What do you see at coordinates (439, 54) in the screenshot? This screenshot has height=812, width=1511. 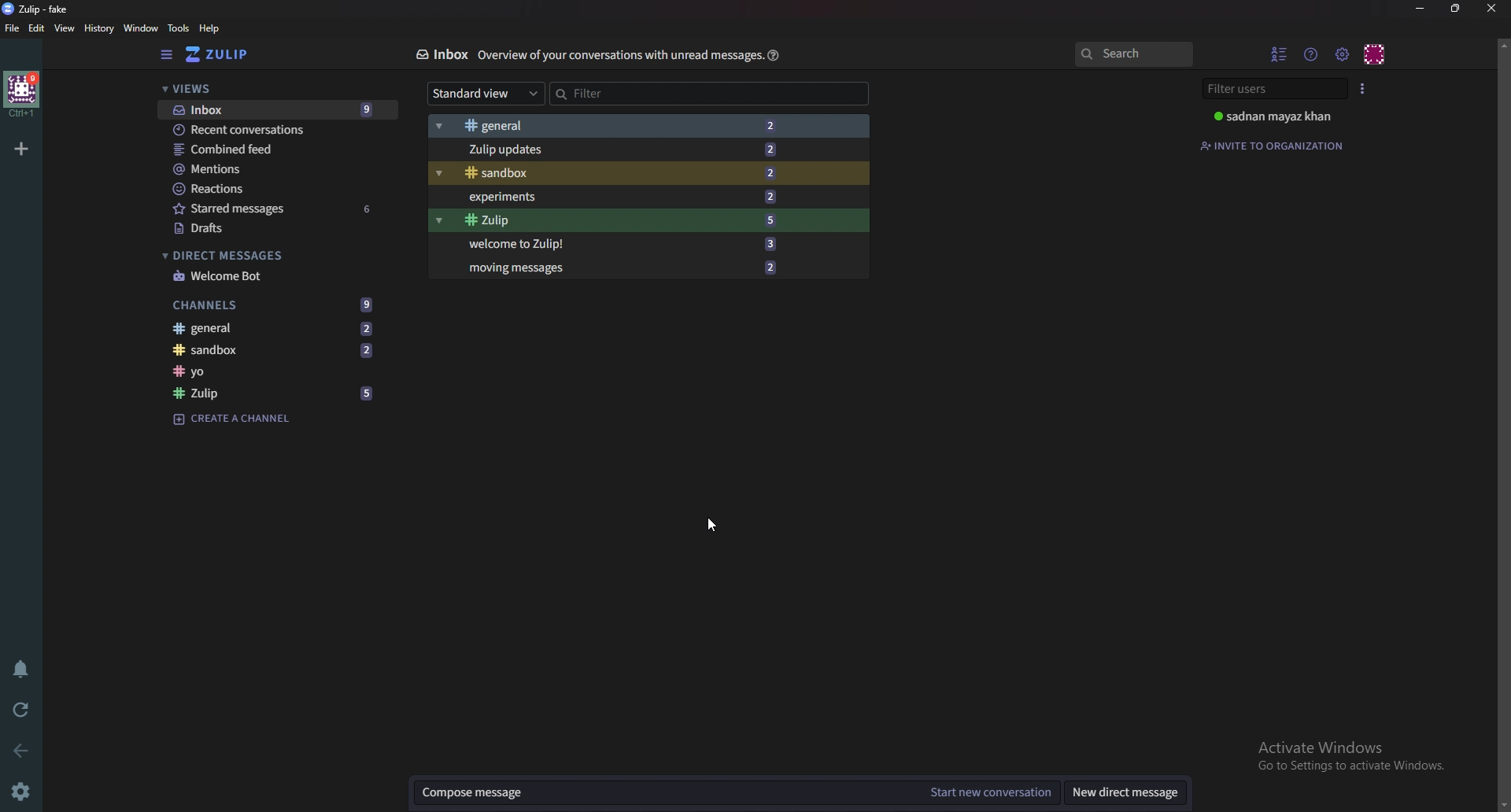 I see `Inbox` at bounding box center [439, 54].